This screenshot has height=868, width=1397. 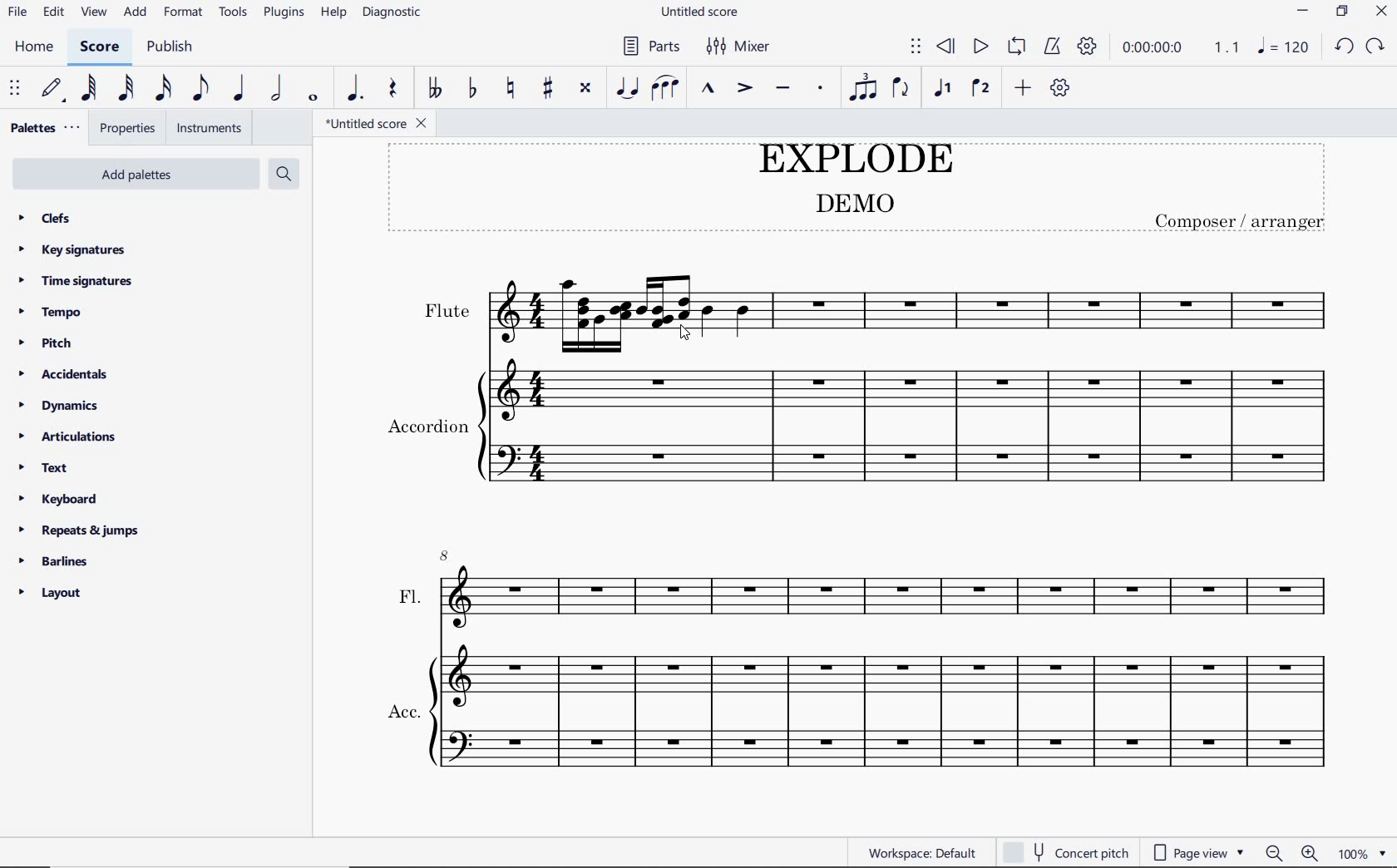 I want to click on layout, so click(x=50, y=594).